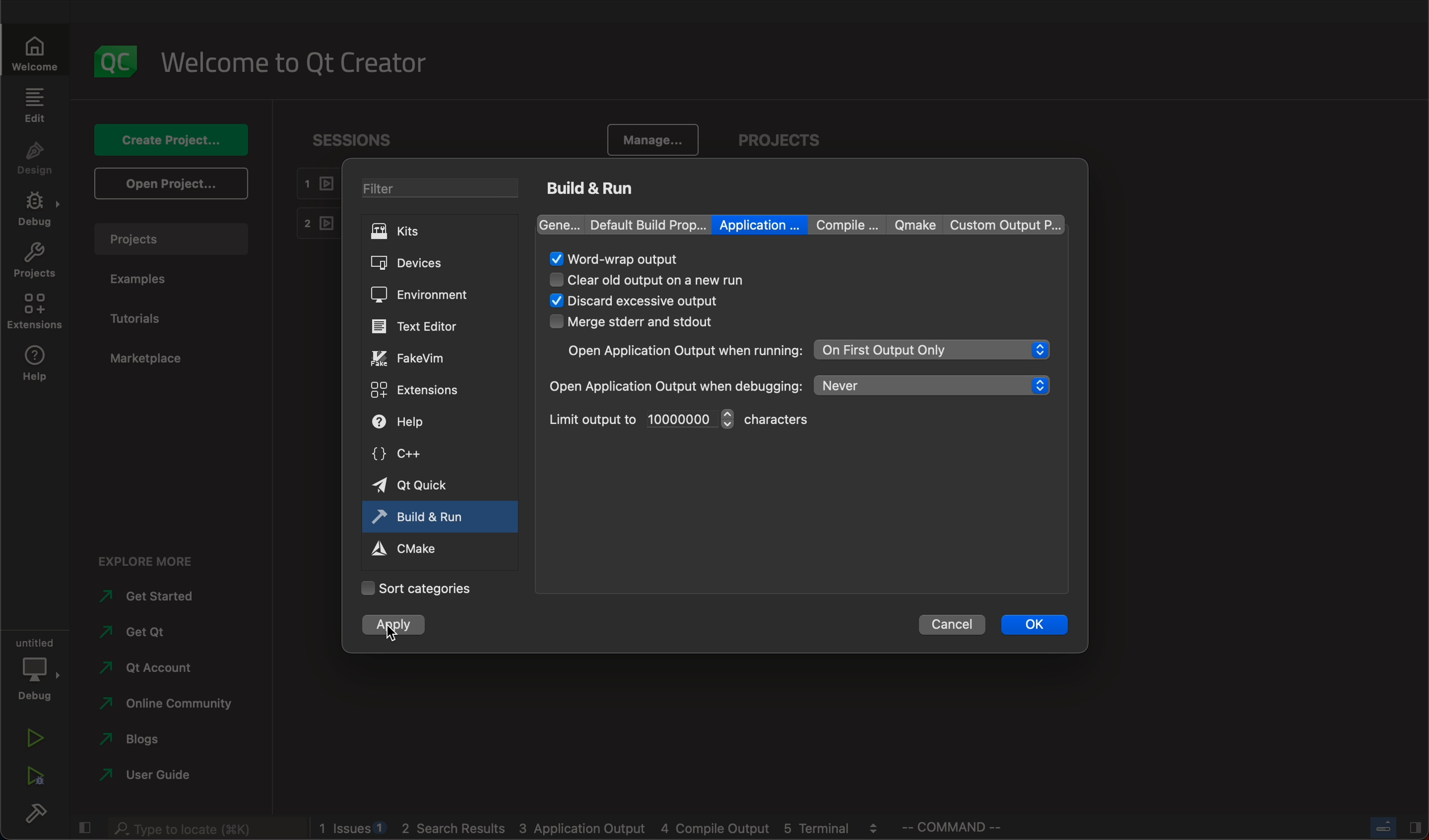 The image size is (1429, 840). I want to click on community, so click(162, 706).